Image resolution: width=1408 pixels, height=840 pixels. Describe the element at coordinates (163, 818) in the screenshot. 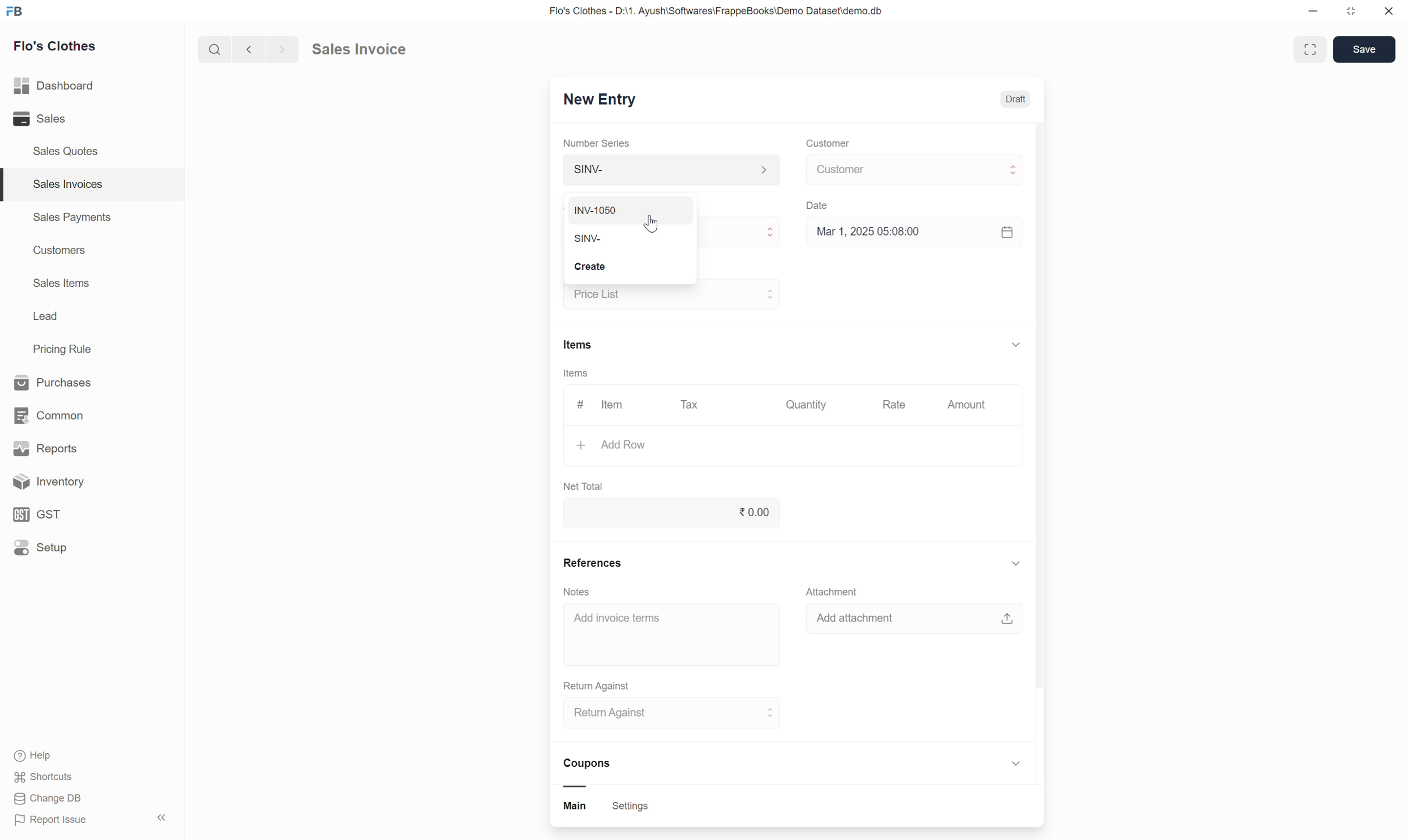

I see `hide sidebar` at that location.